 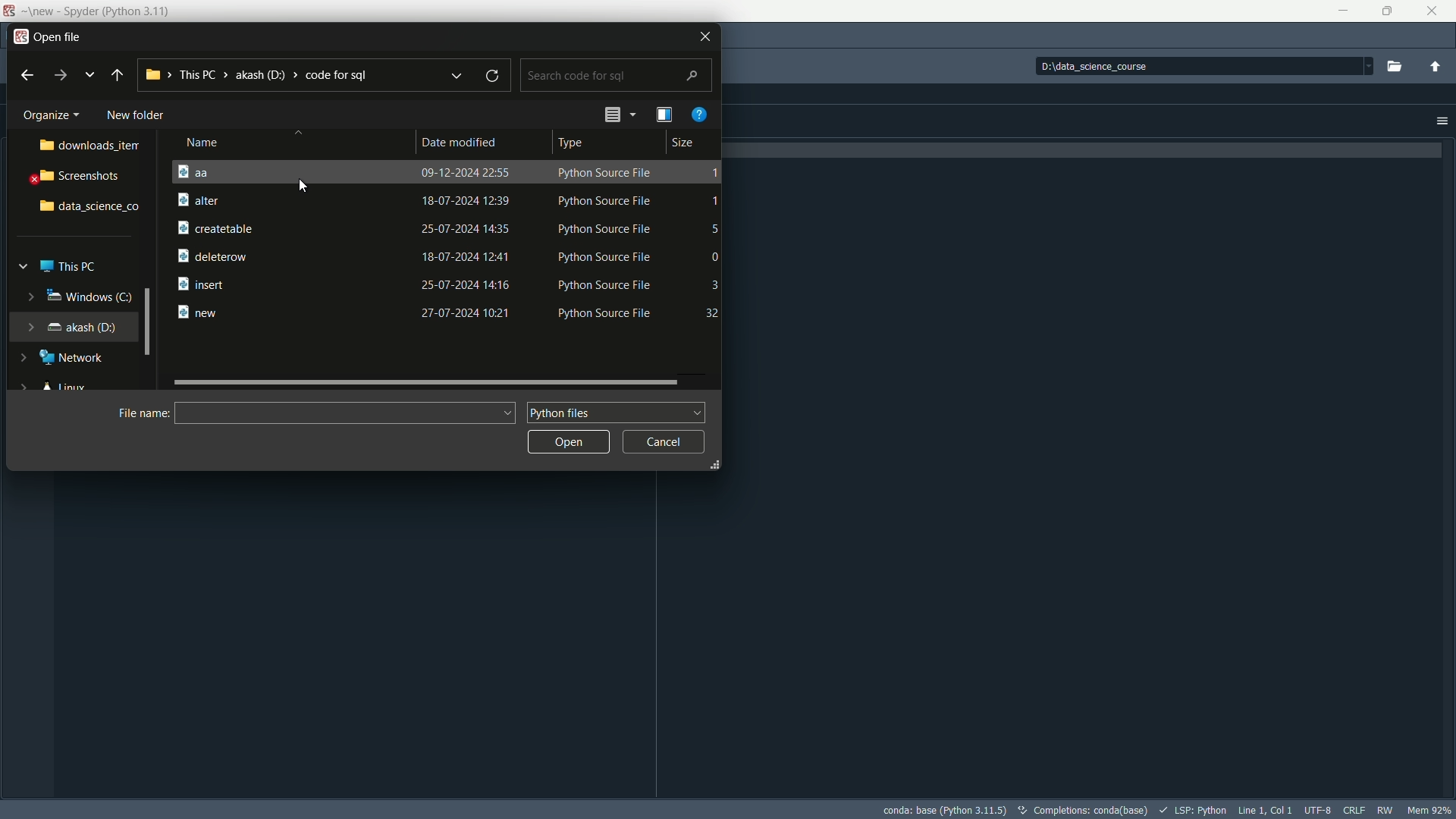 What do you see at coordinates (448, 172) in the screenshot?
I see `file` at bounding box center [448, 172].